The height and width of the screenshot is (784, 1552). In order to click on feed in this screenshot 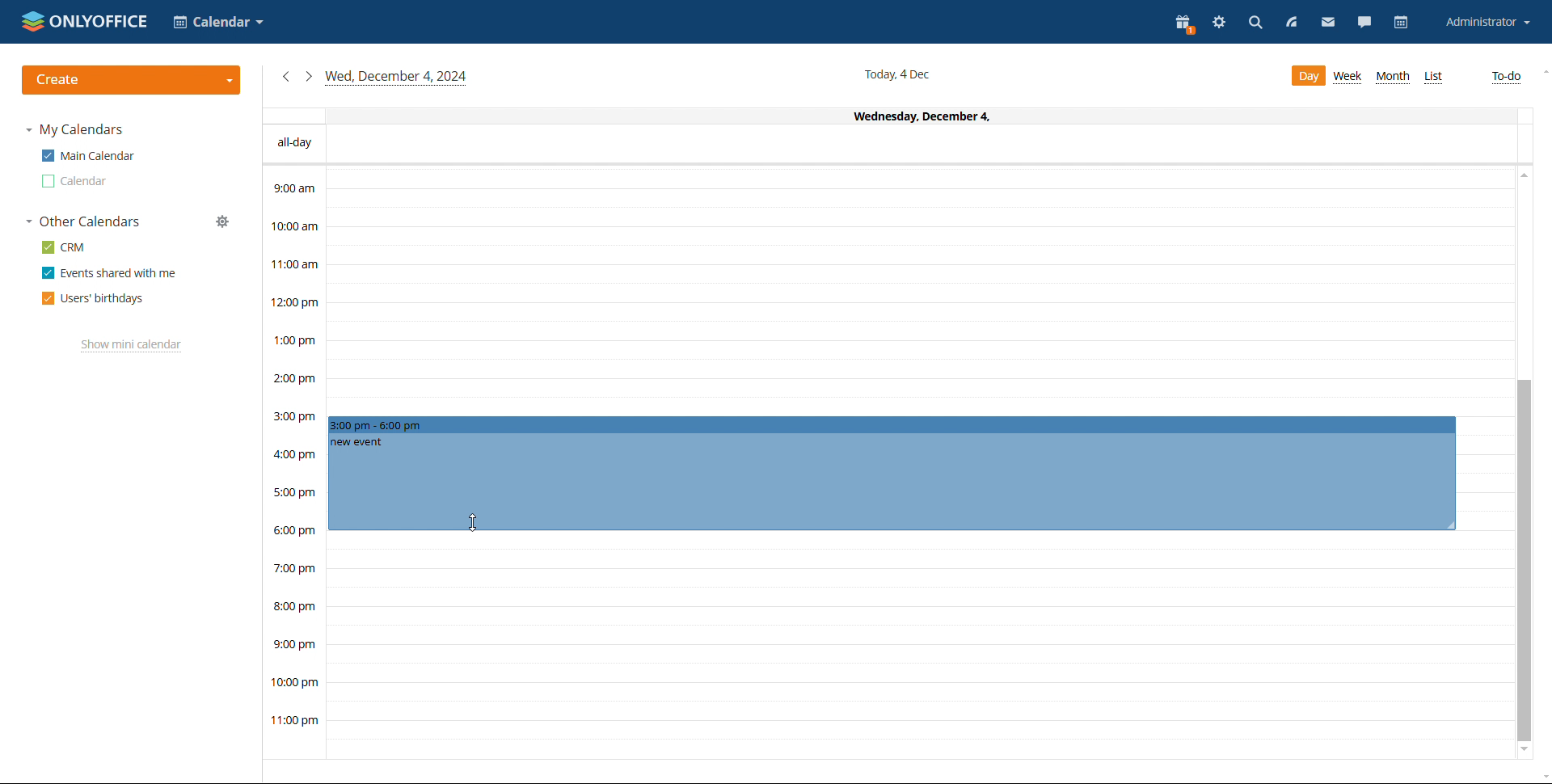, I will do `click(1289, 23)`.